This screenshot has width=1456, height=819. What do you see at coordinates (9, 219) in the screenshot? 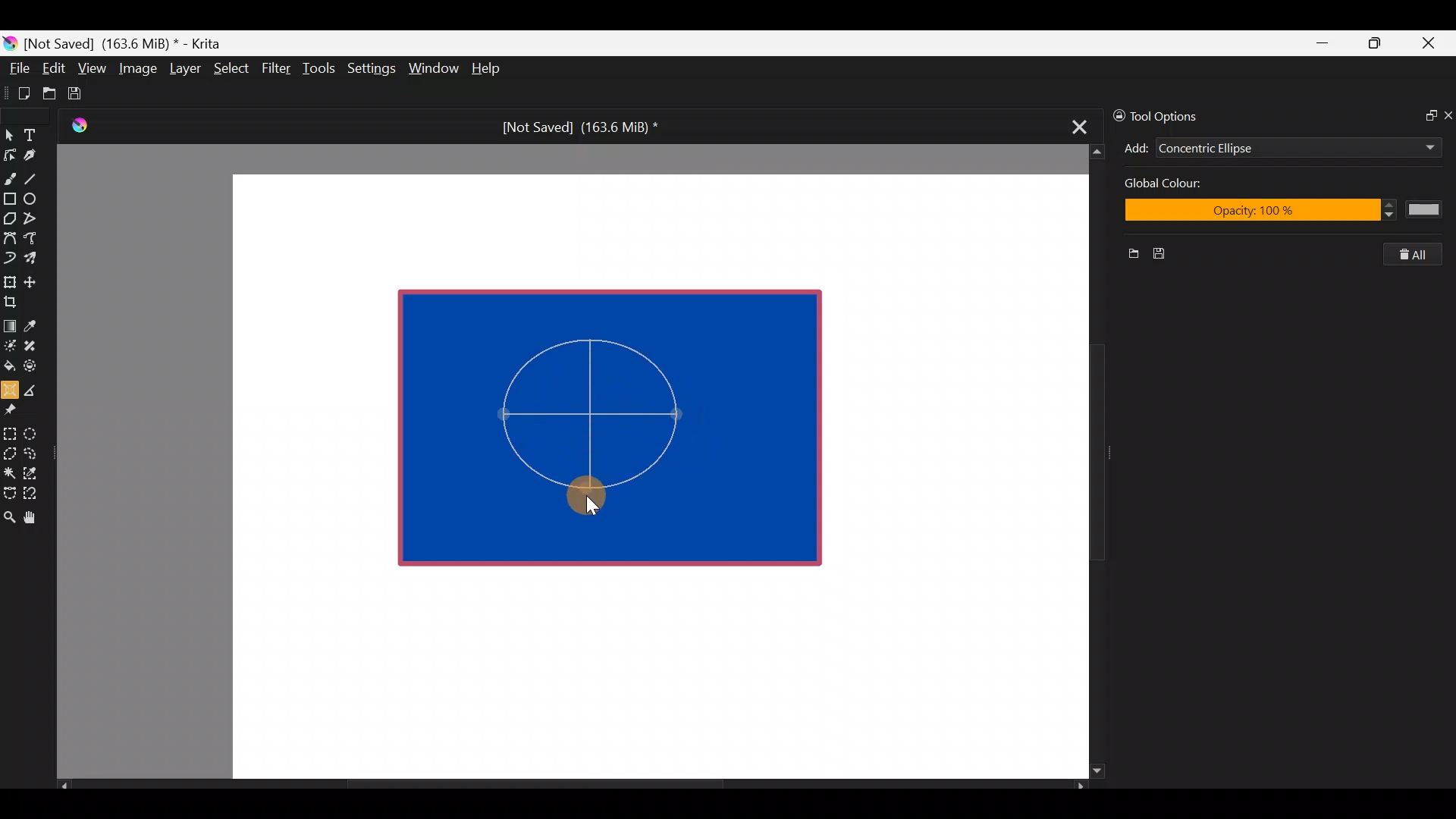
I see `Polygon tool` at bounding box center [9, 219].